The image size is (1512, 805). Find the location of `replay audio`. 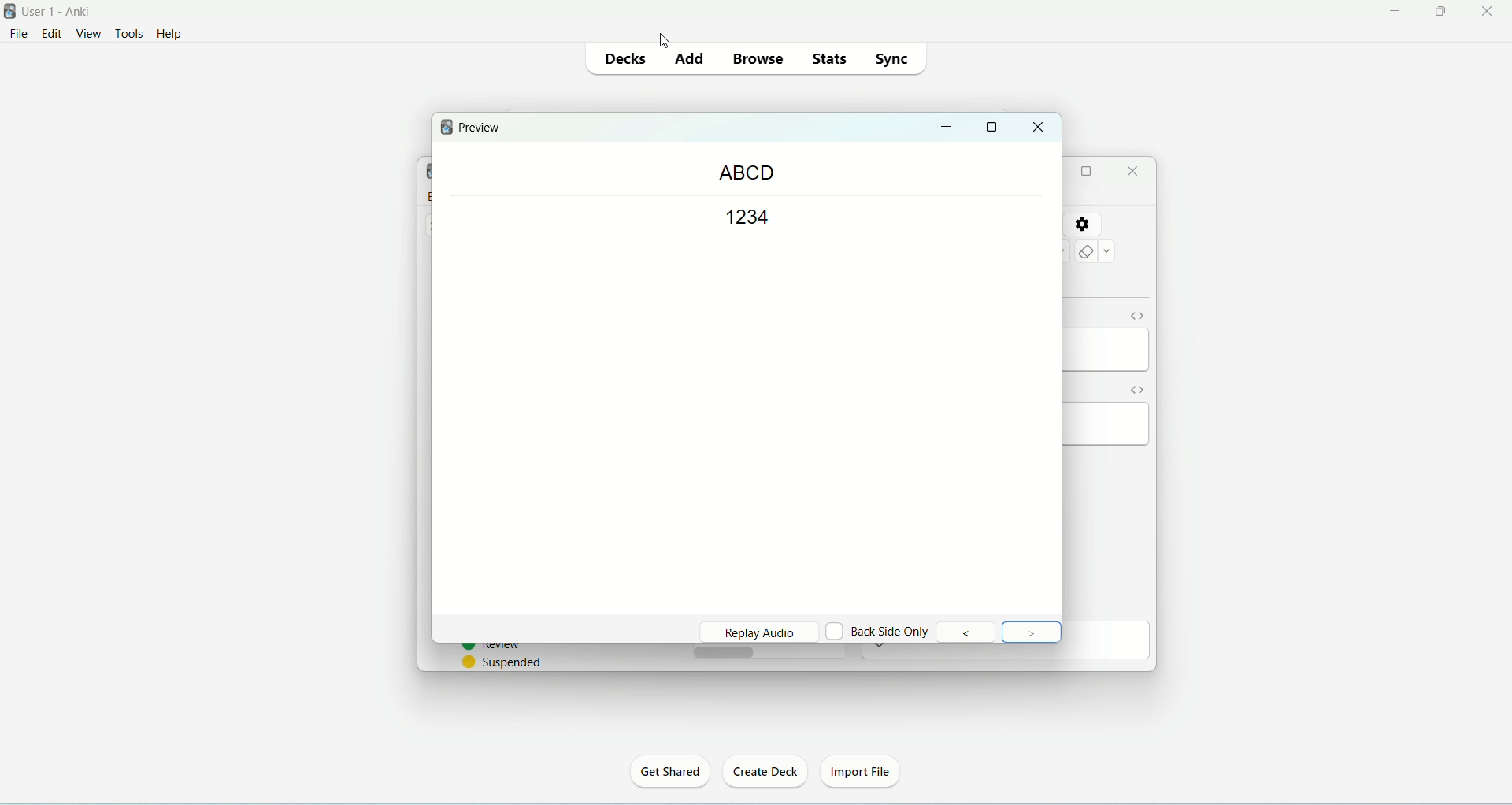

replay audio is located at coordinates (754, 629).